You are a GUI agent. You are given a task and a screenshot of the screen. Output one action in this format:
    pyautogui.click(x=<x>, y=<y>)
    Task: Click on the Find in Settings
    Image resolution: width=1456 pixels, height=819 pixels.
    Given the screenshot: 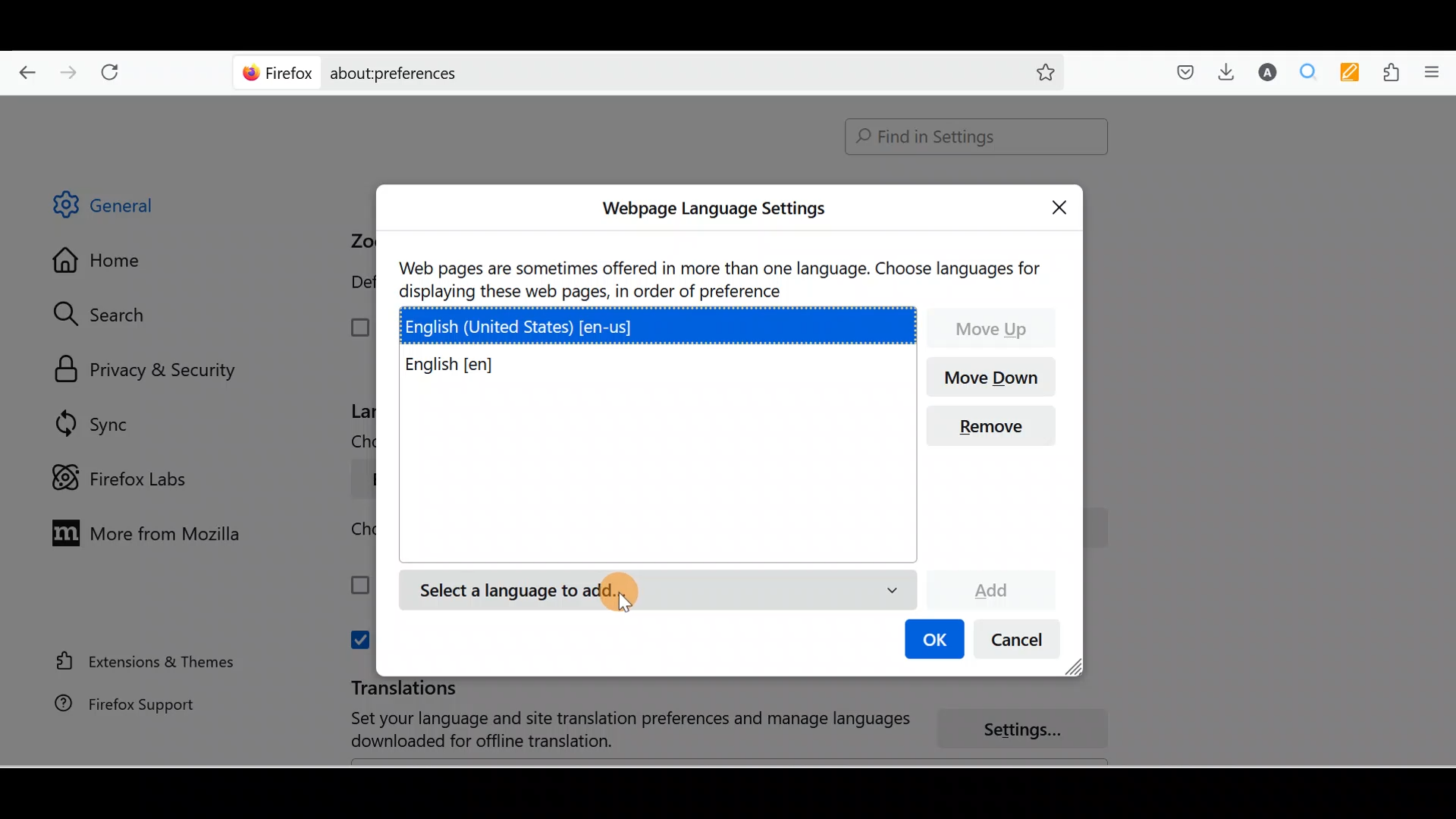 What is the action you would take?
    pyautogui.click(x=977, y=136)
    